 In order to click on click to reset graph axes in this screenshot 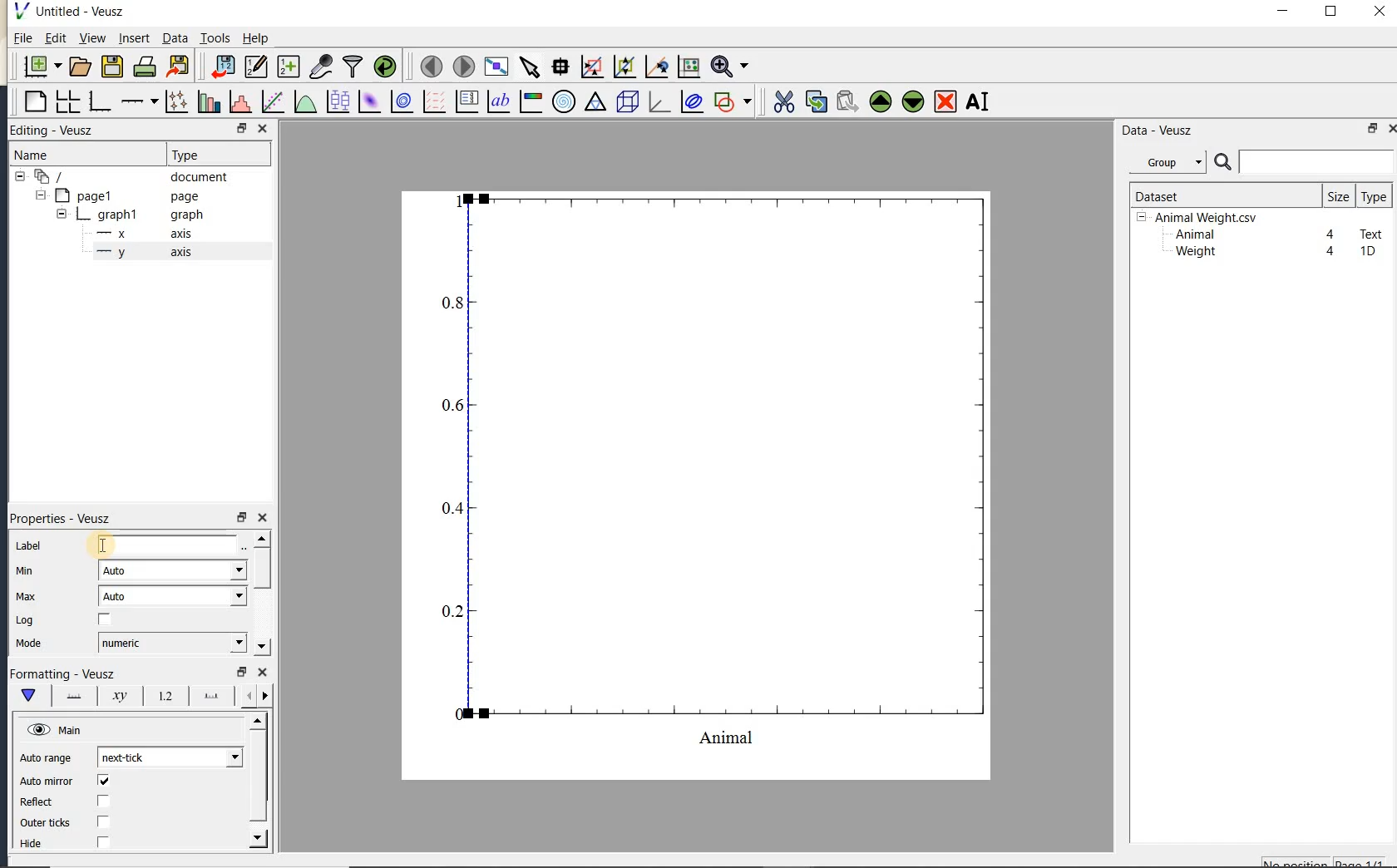, I will do `click(689, 67)`.